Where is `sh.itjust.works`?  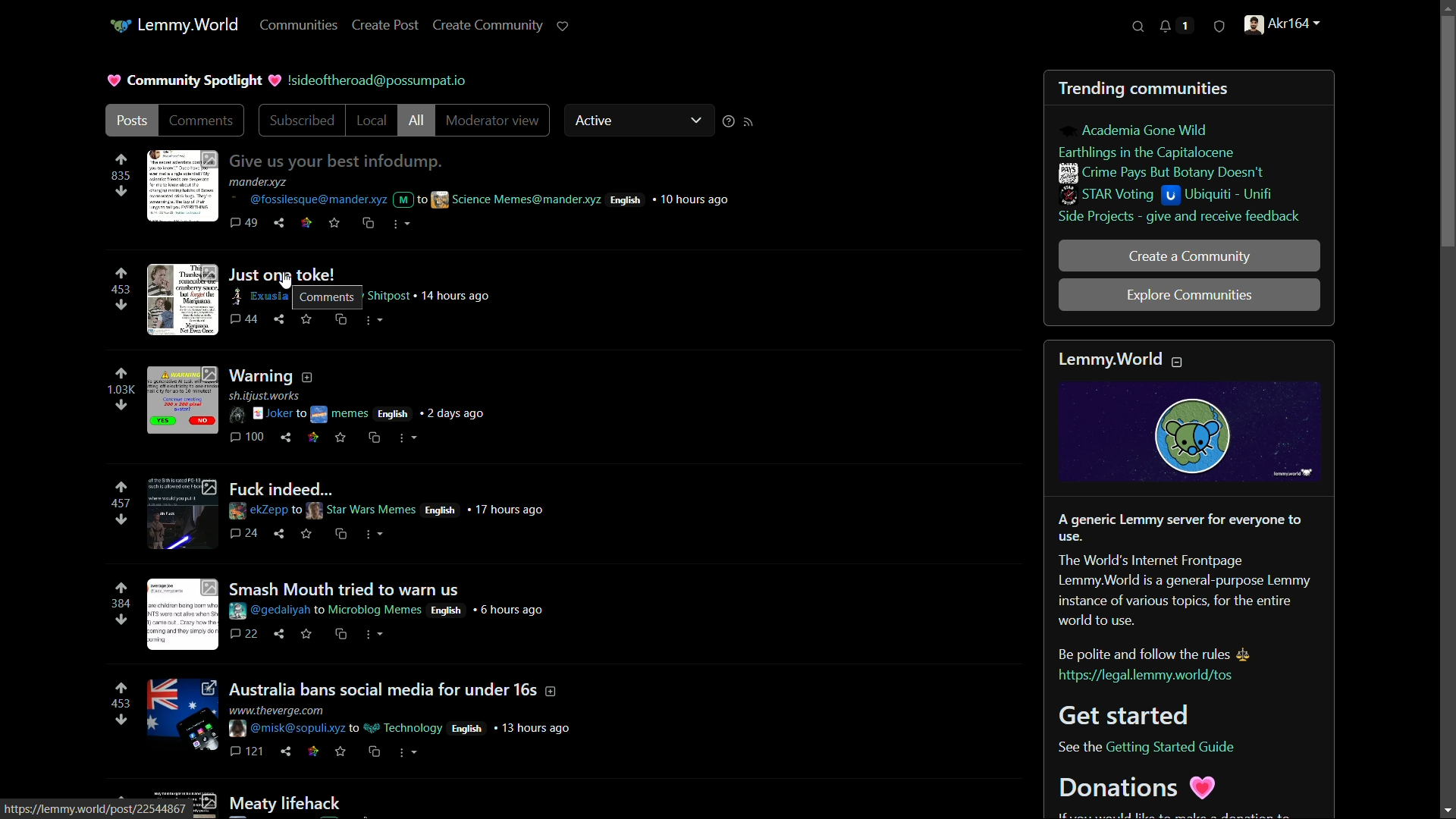
sh.itjust.works is located at coordinates (273, 396).